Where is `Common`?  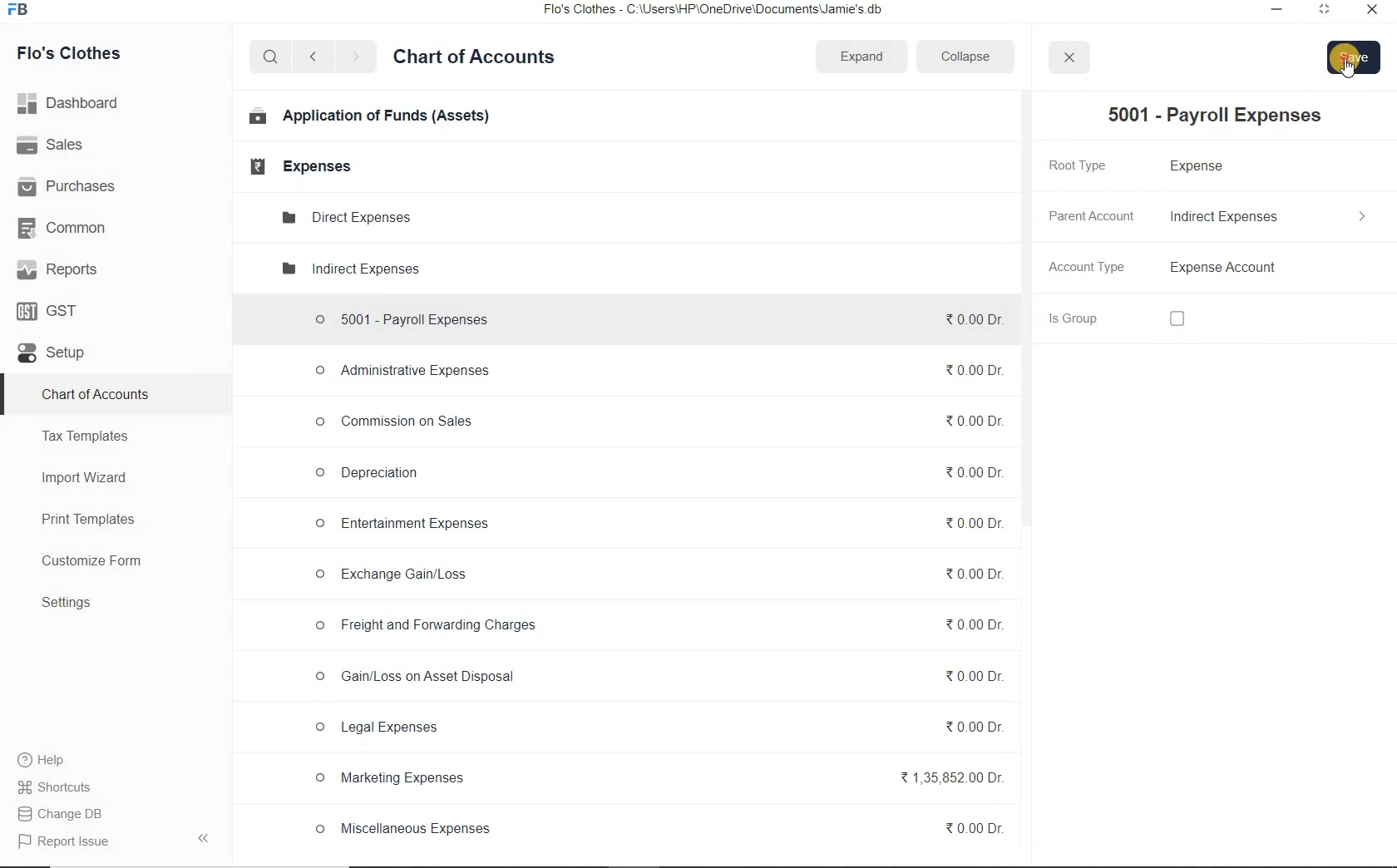
Common is located at coordinates (67, 227).